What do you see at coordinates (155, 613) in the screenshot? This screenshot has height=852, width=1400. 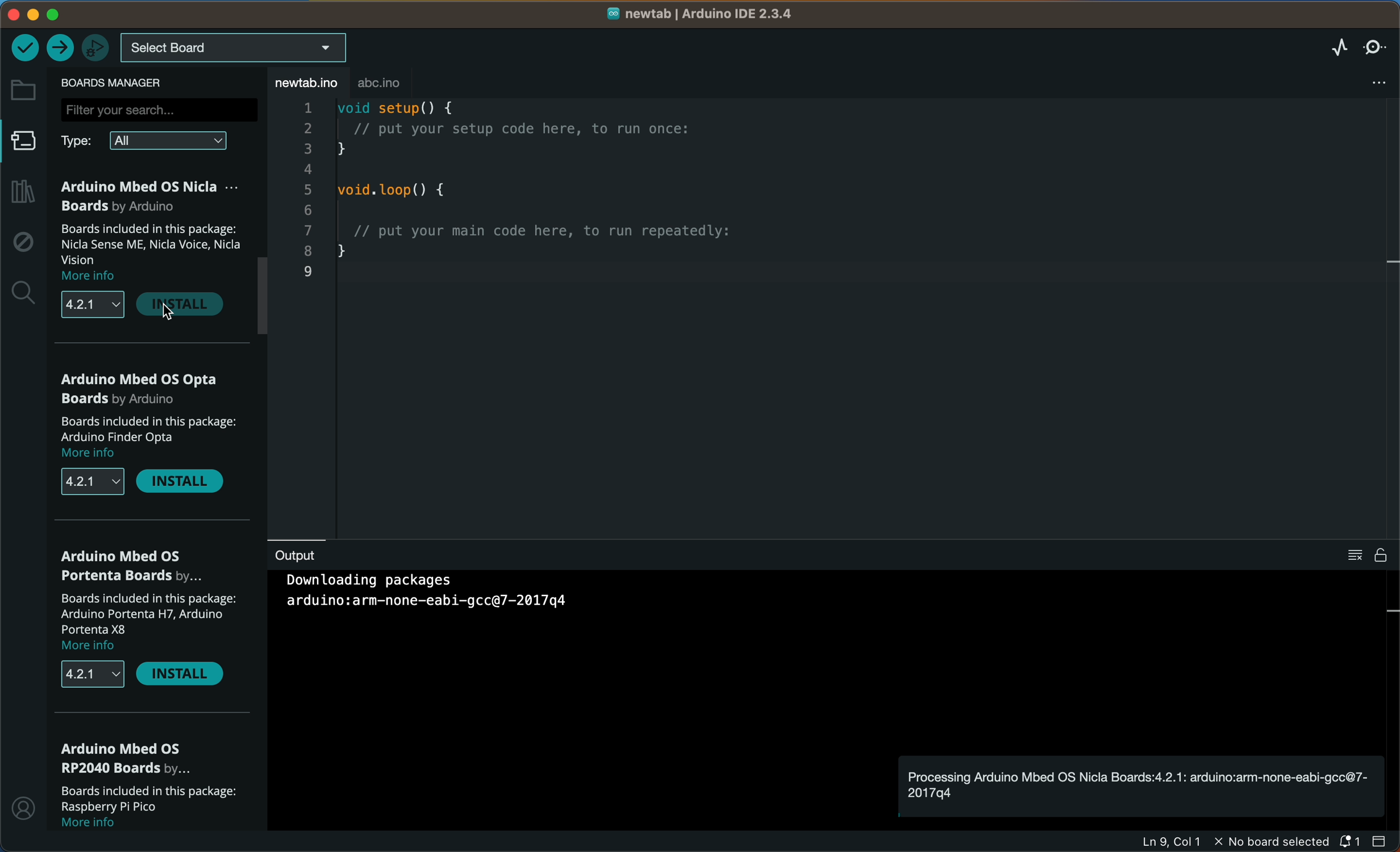 I see `description` at bounding box center [155, 613].